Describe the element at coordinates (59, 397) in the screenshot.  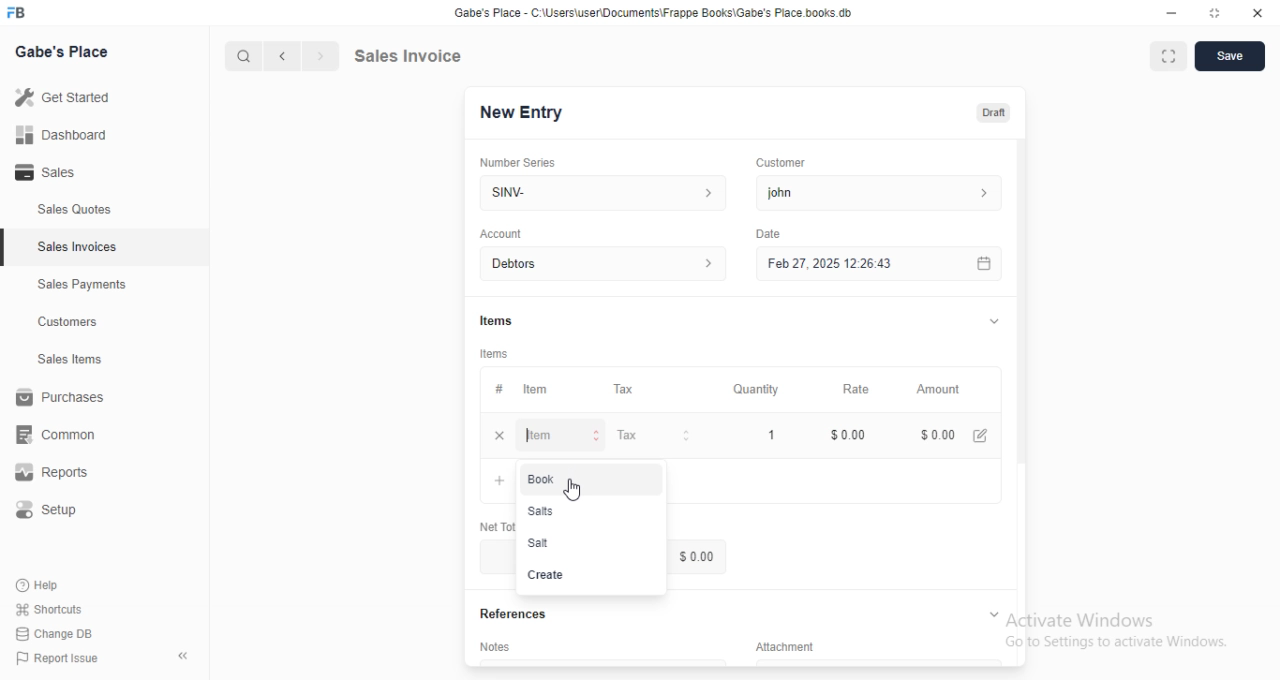
I see `Purchases` at that location.